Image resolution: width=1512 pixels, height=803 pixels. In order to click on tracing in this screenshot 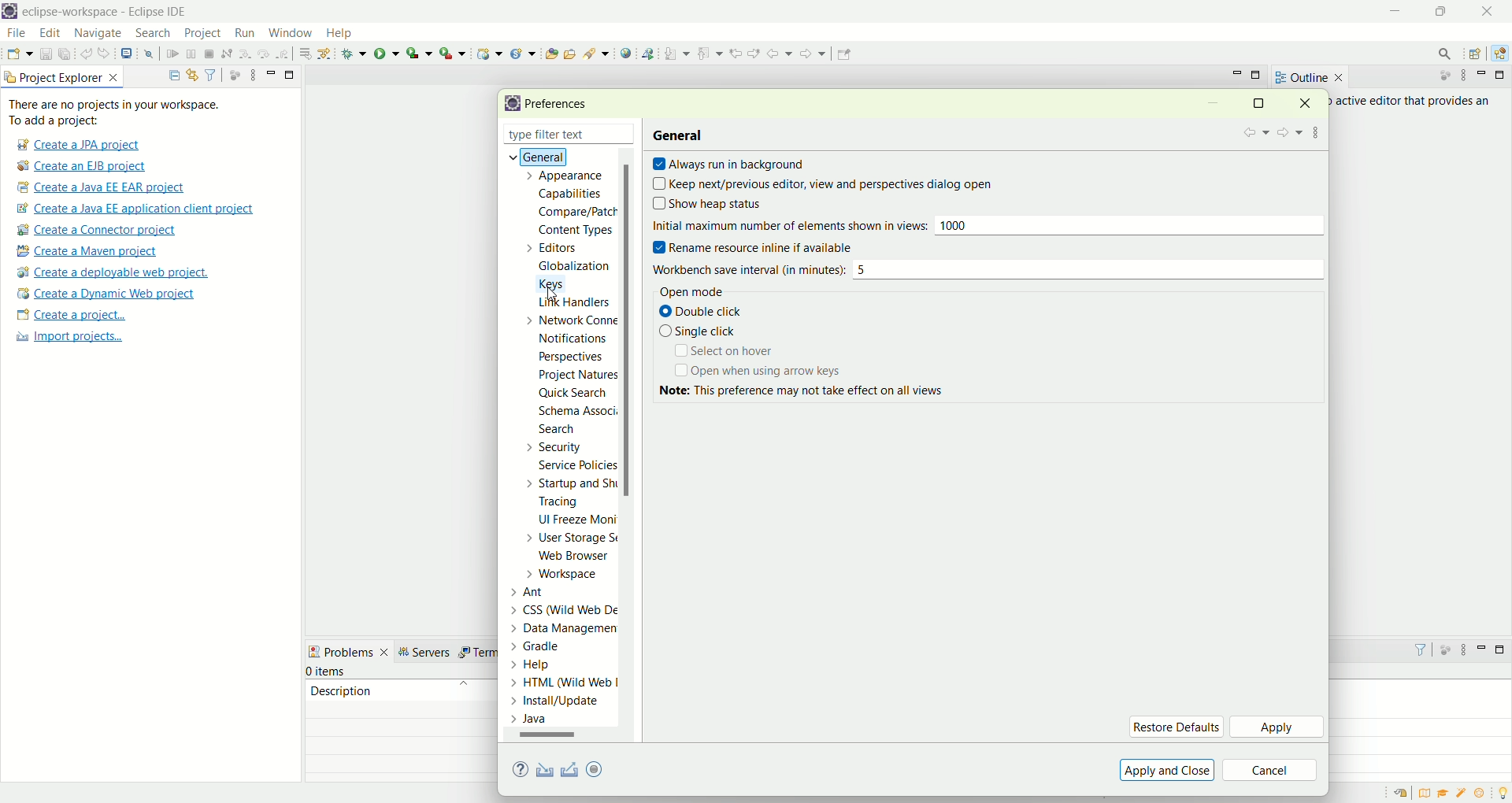, I will do `click(569, 503)`.